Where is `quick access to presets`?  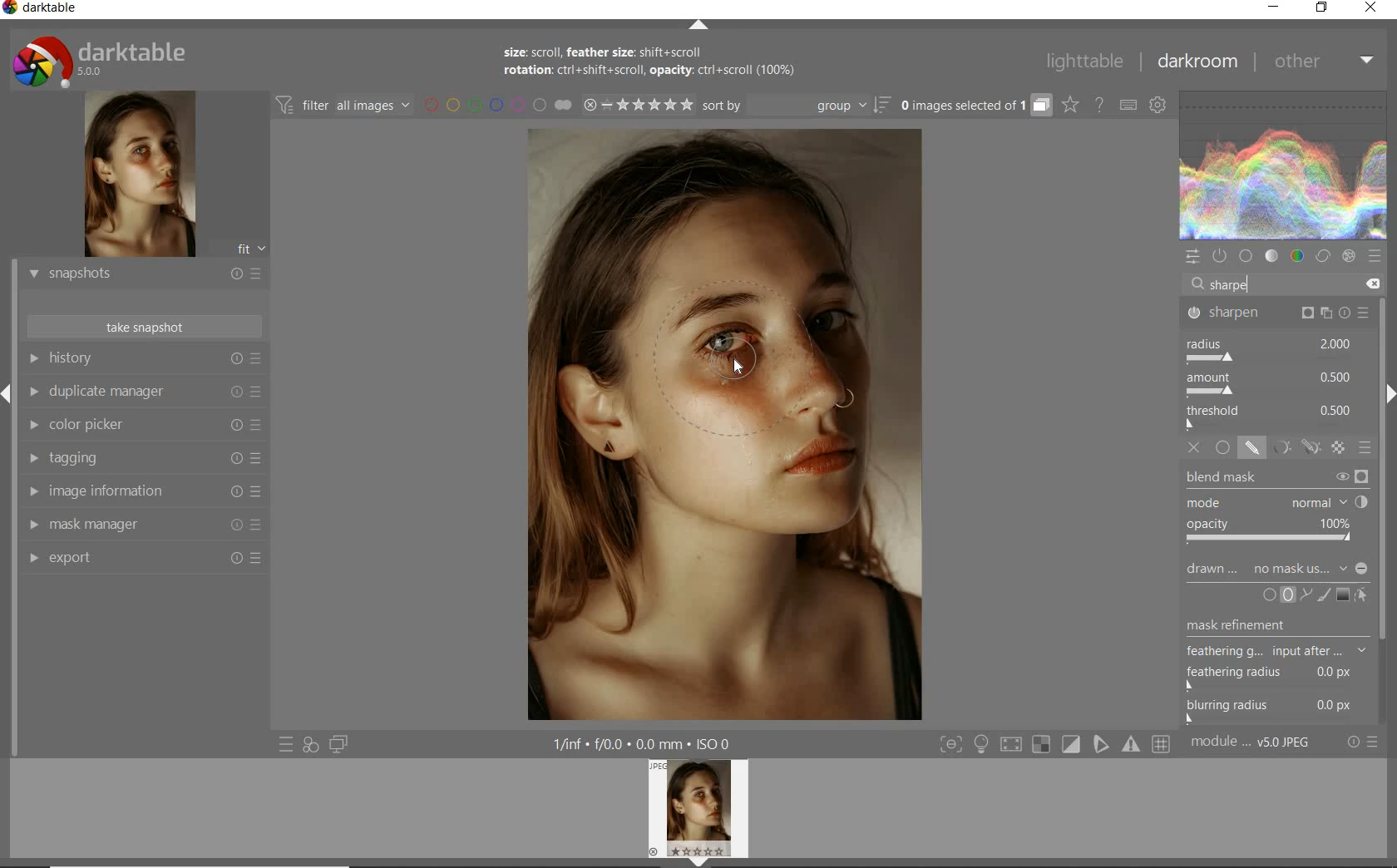 quick access to presets is located at coordinates (287, 743).